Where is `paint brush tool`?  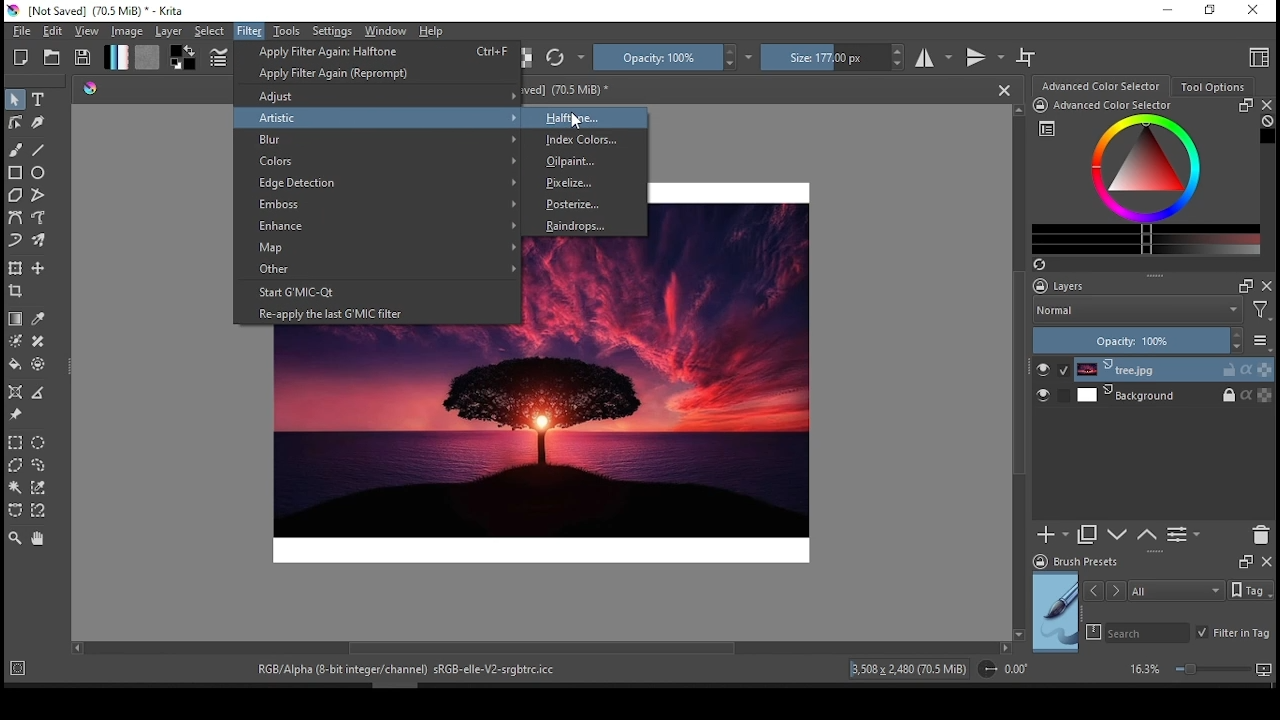 paint brush tool is located at coordinates (16, 149).